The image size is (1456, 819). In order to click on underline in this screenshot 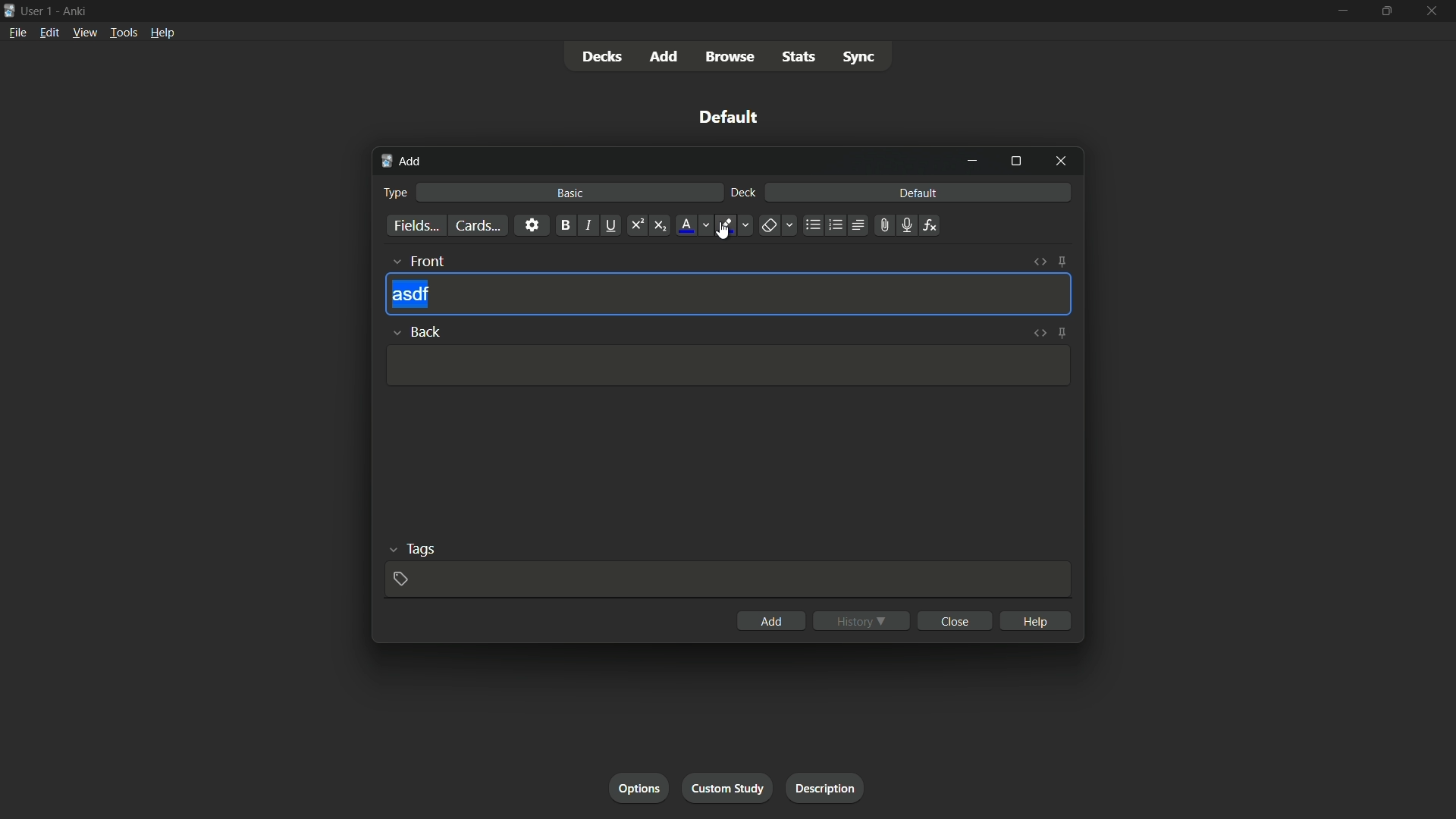, I will do `click(611, 225)`.